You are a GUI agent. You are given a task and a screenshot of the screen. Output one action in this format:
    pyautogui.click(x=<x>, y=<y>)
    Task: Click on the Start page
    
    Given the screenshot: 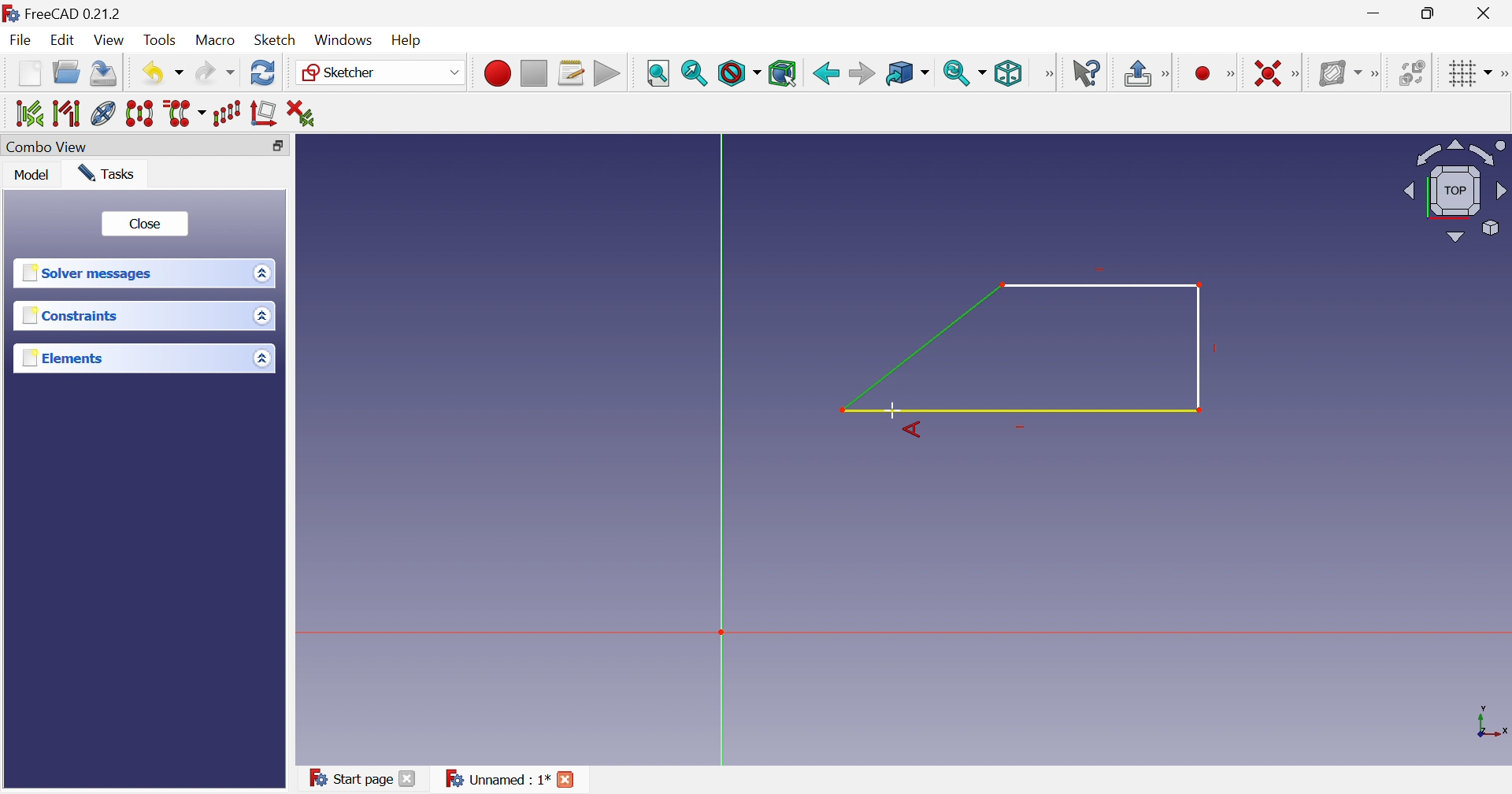 What is the action you would take?
    pyautogui.click(x=345, y=776)
    